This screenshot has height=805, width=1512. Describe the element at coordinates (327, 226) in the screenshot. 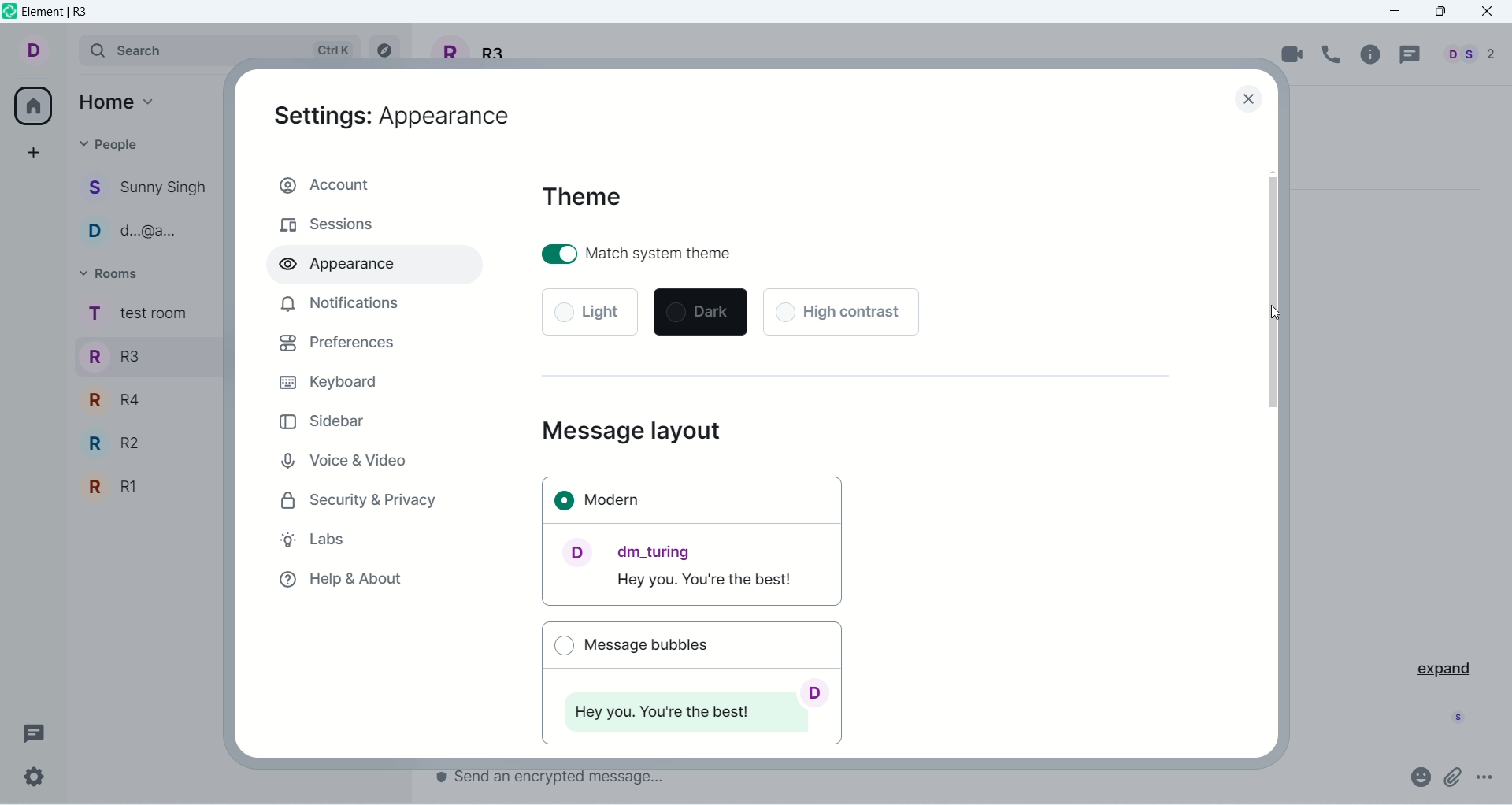

I see `sessions` at that location.